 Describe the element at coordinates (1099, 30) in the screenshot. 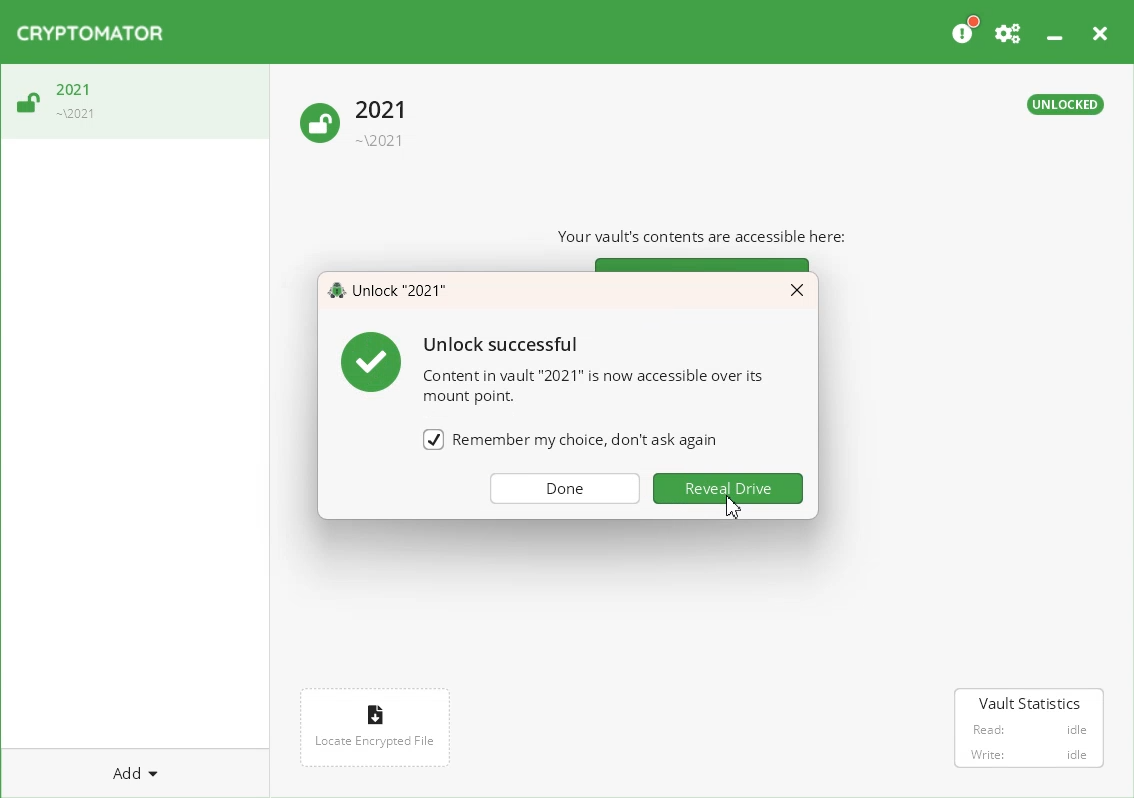

I see `Close` at that location.